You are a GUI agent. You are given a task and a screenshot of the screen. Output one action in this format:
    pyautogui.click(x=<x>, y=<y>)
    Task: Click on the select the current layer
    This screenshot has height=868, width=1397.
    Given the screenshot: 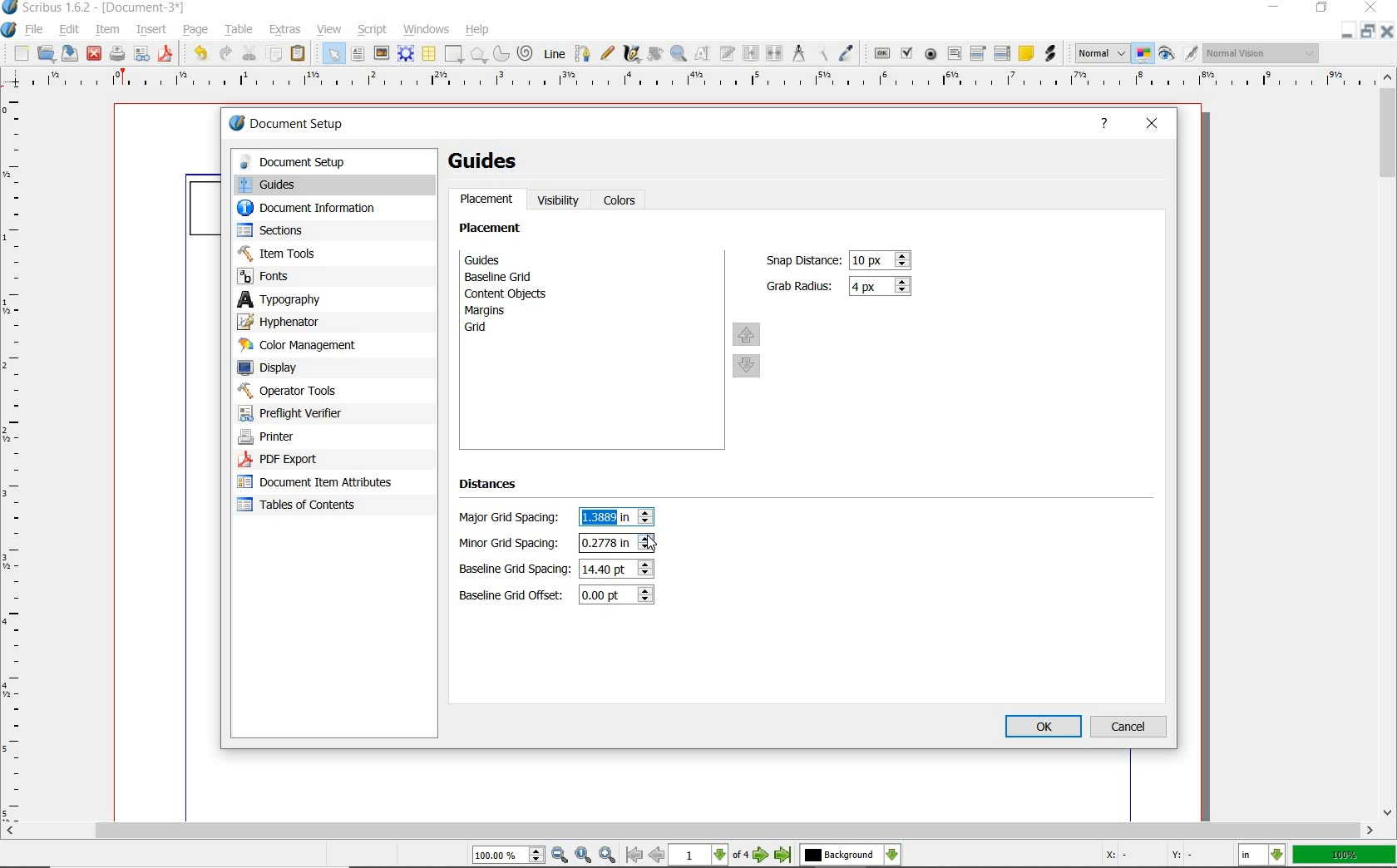 What is the action you would take?
    pyautogui.click(x=851, y=856)
    